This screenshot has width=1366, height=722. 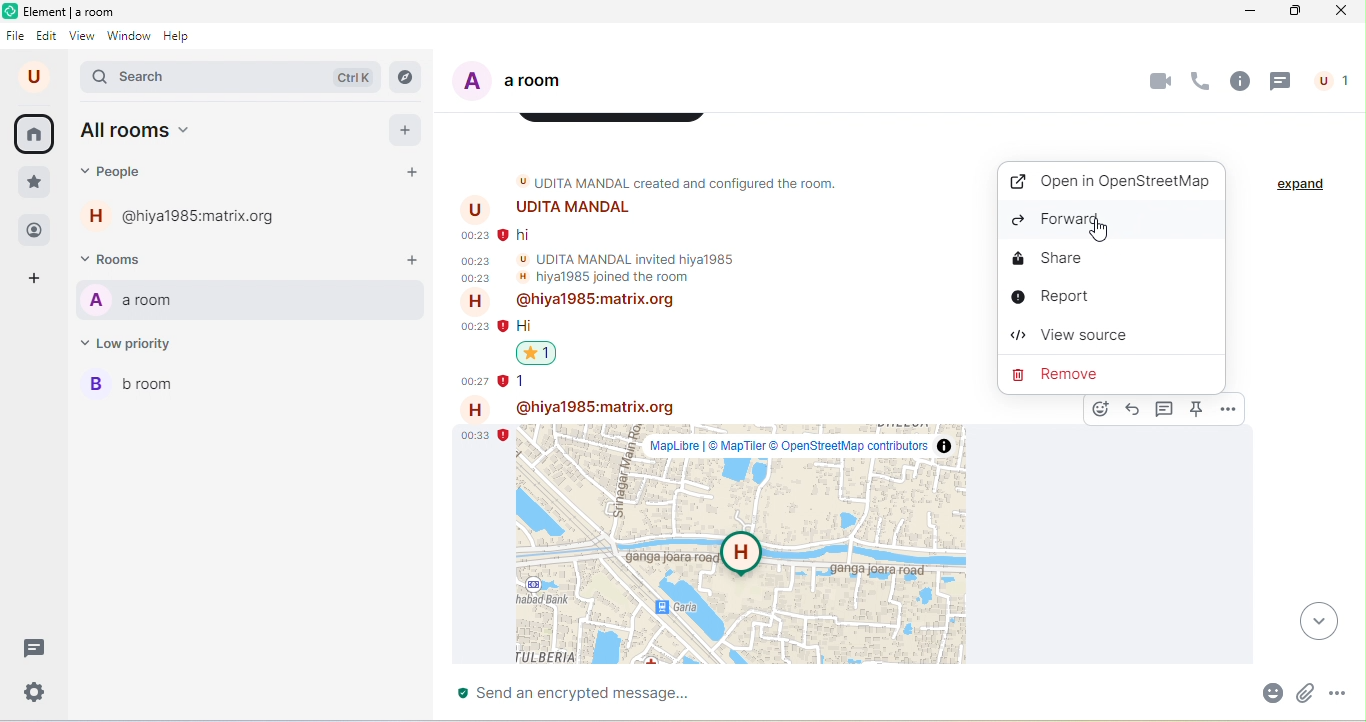 I want to click on send an encrypted message, so click(x=844, y=693).